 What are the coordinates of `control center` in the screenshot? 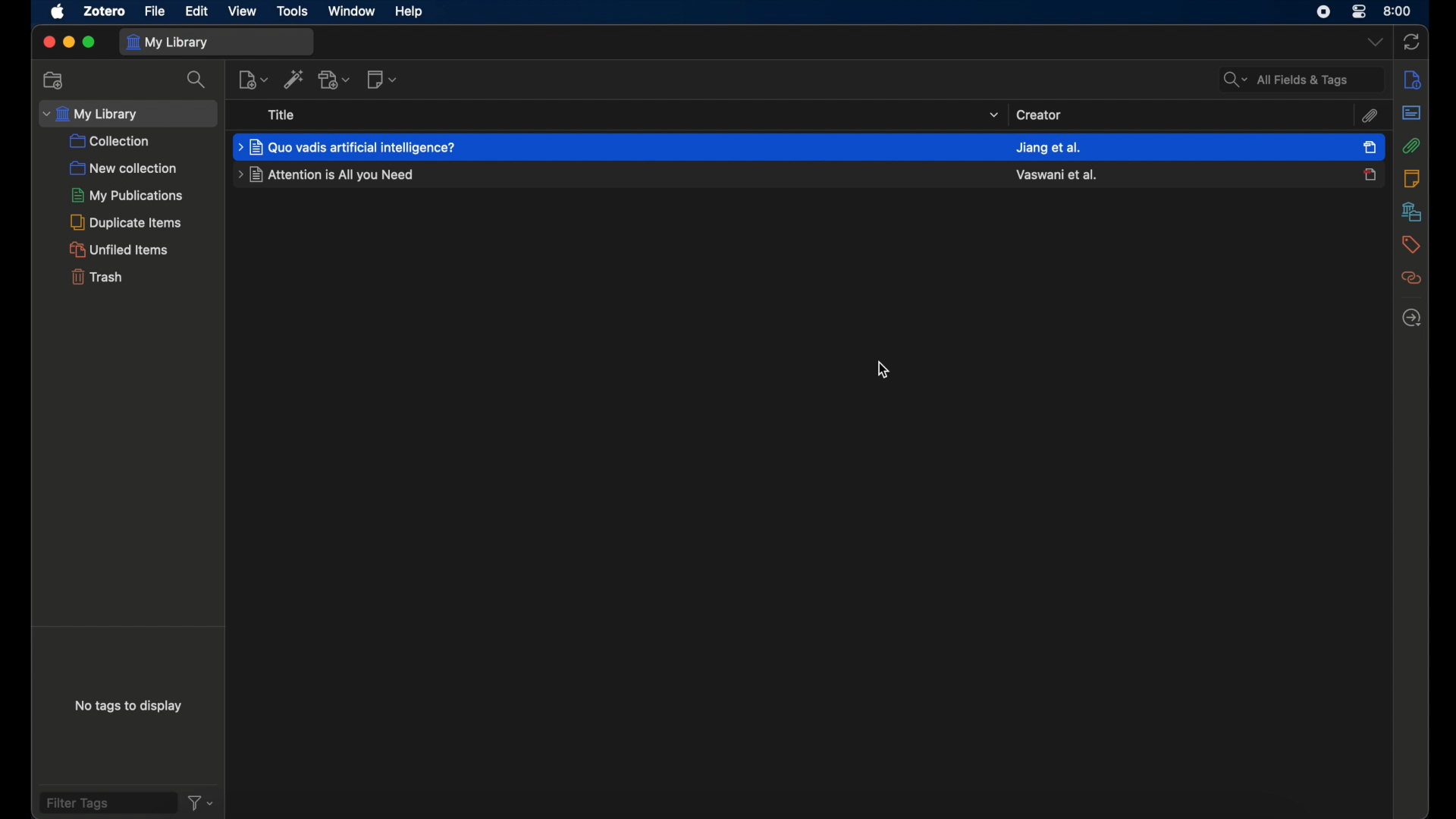 It's located at (1360, 11).